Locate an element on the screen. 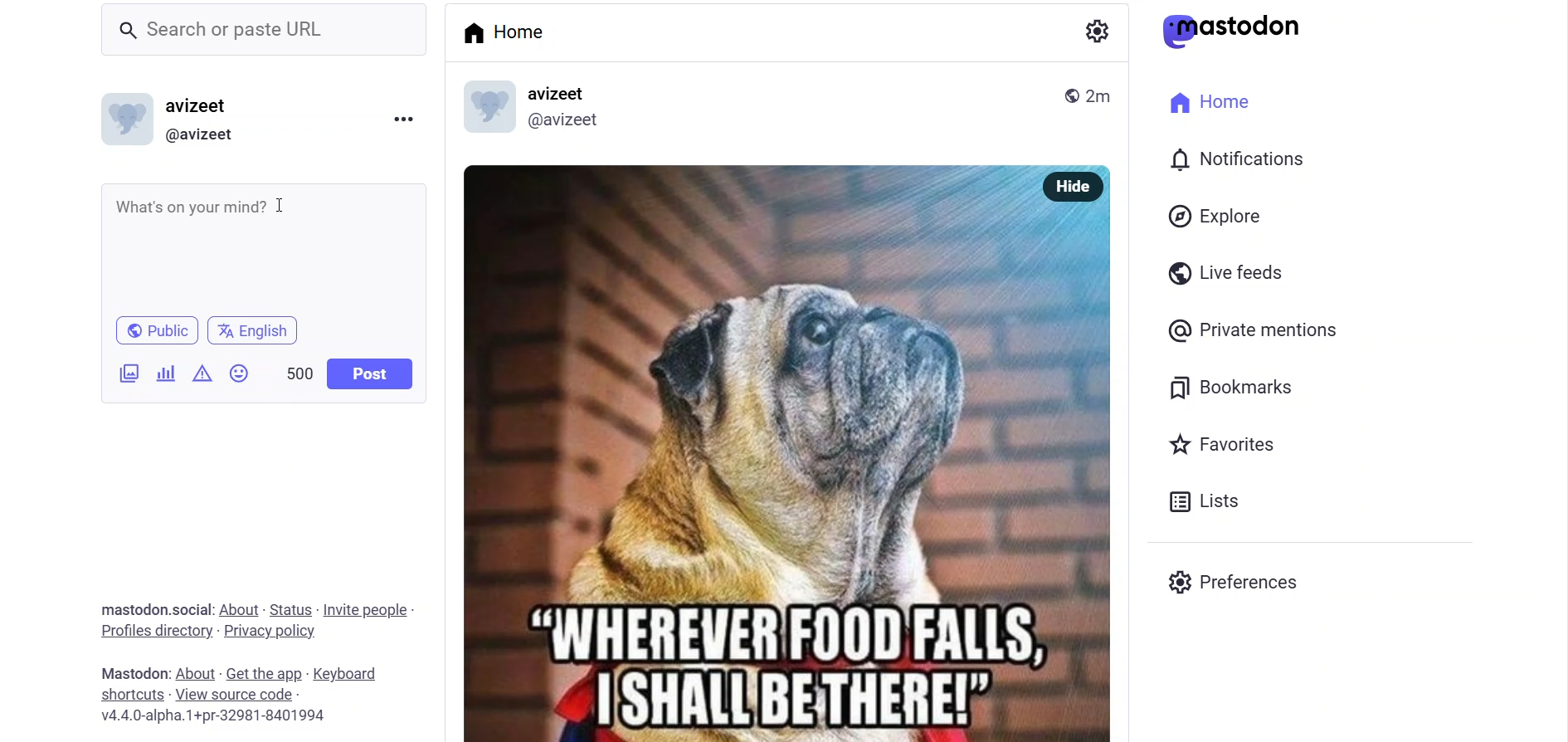  notification is located at coordinates (1237, 160).